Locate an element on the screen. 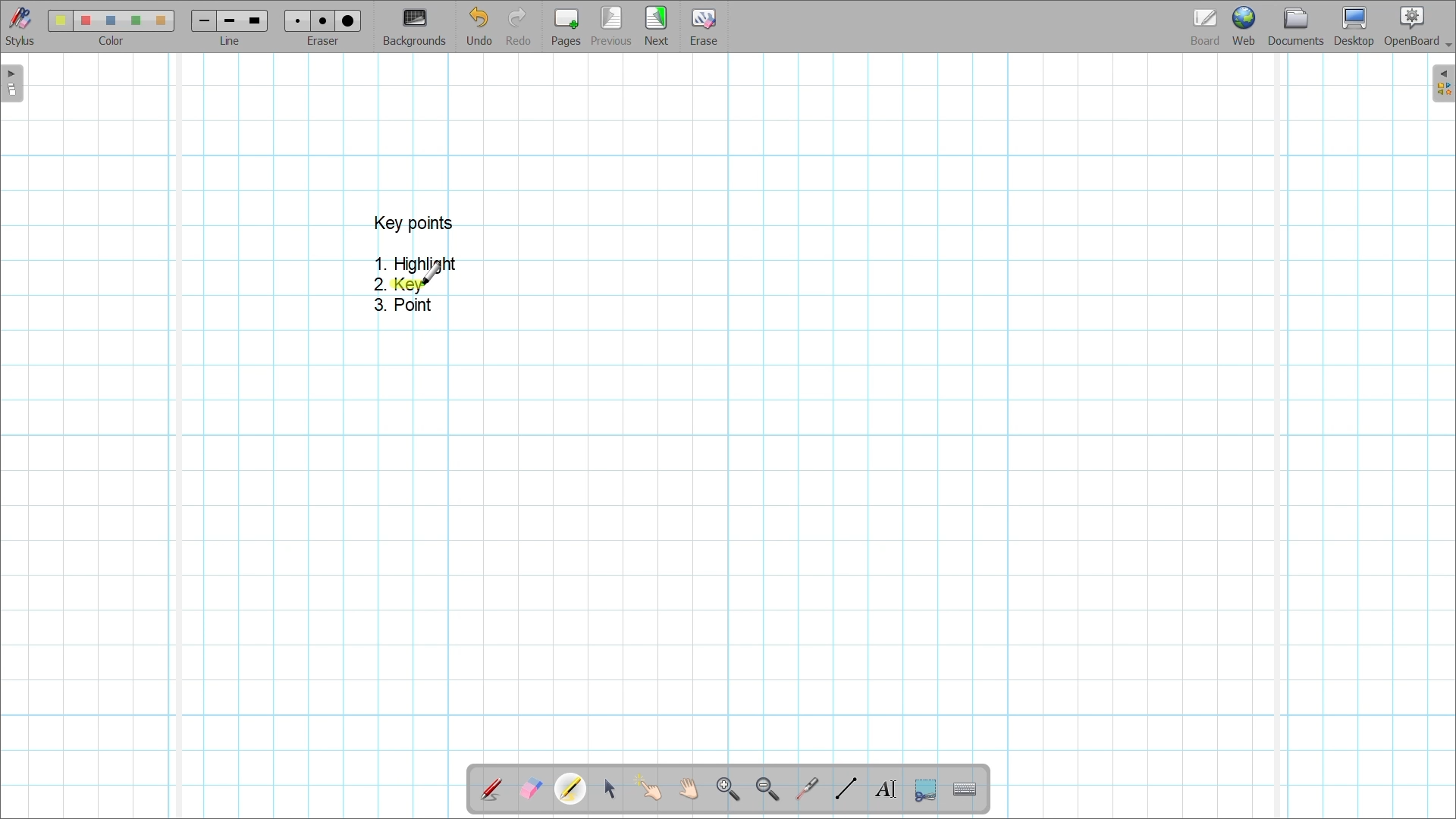 Image resolution: width=1456 pixels, height=819 pixels. 2. Key is located at coordinates (400, 285).